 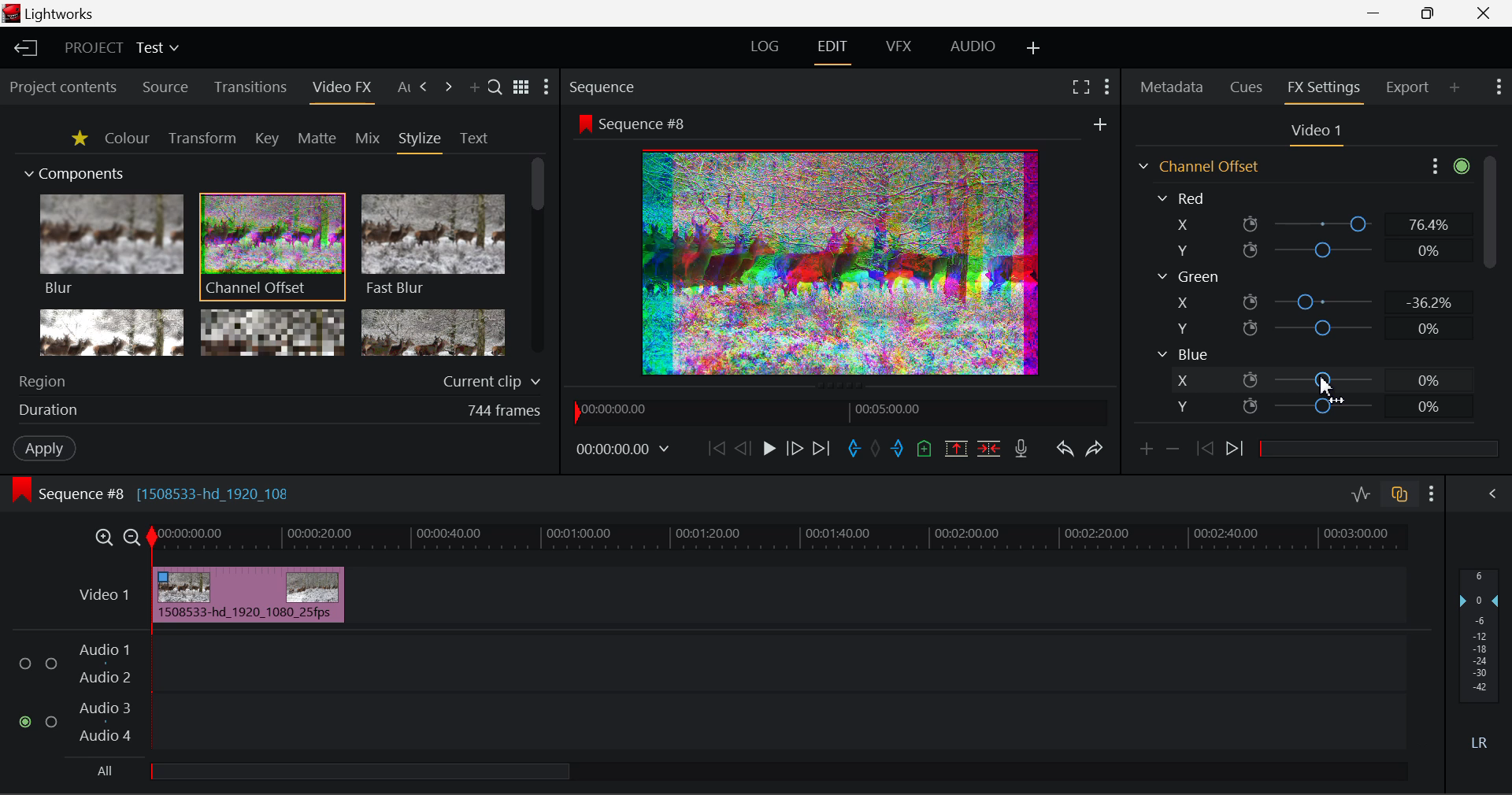 What do you see at coordinates (959, 449) in the screenshot?
I see `Remove marked Section` at bounding box center [959, 449].